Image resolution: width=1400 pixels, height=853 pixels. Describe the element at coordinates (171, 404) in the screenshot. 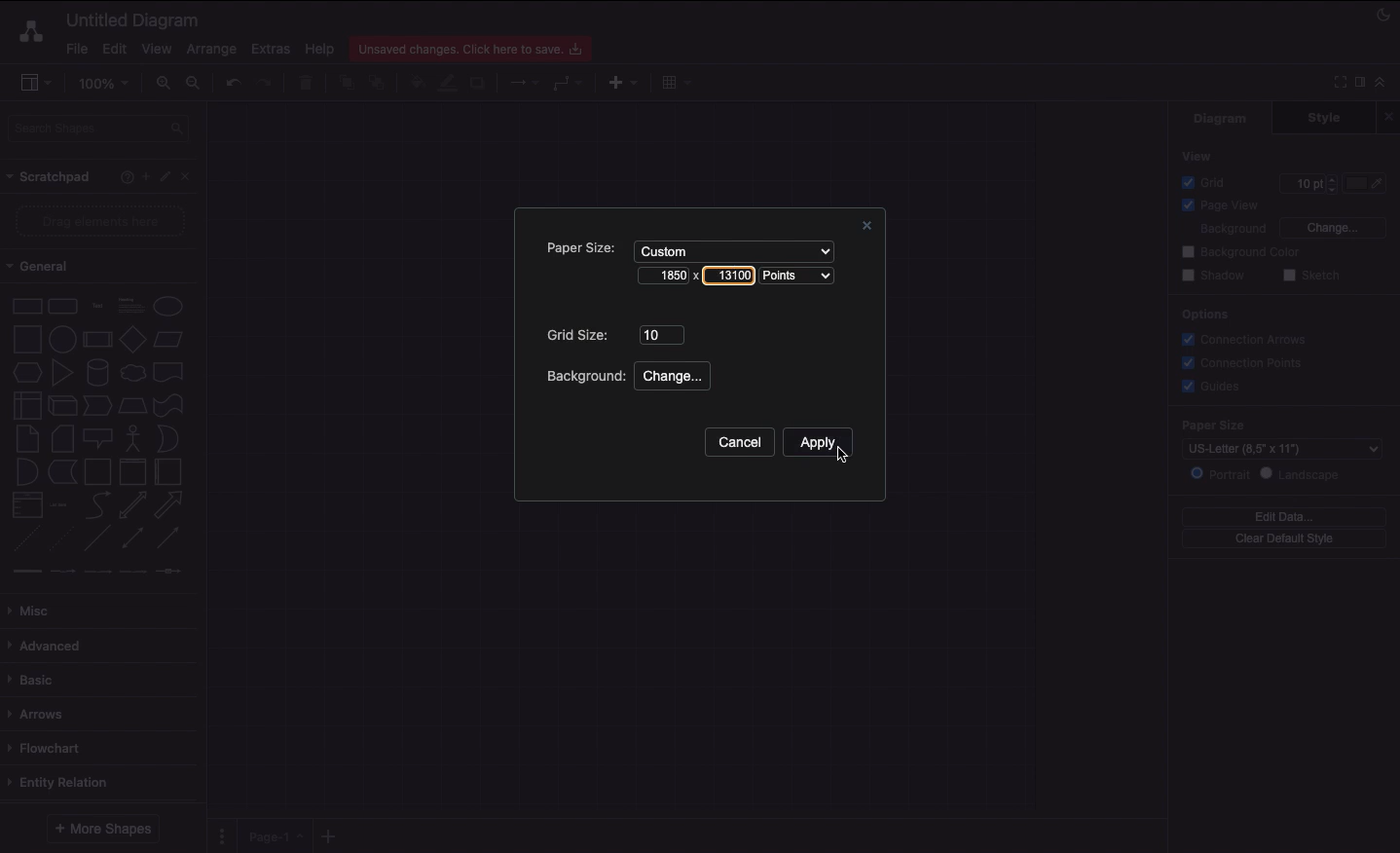

I see `Tape` at that location.